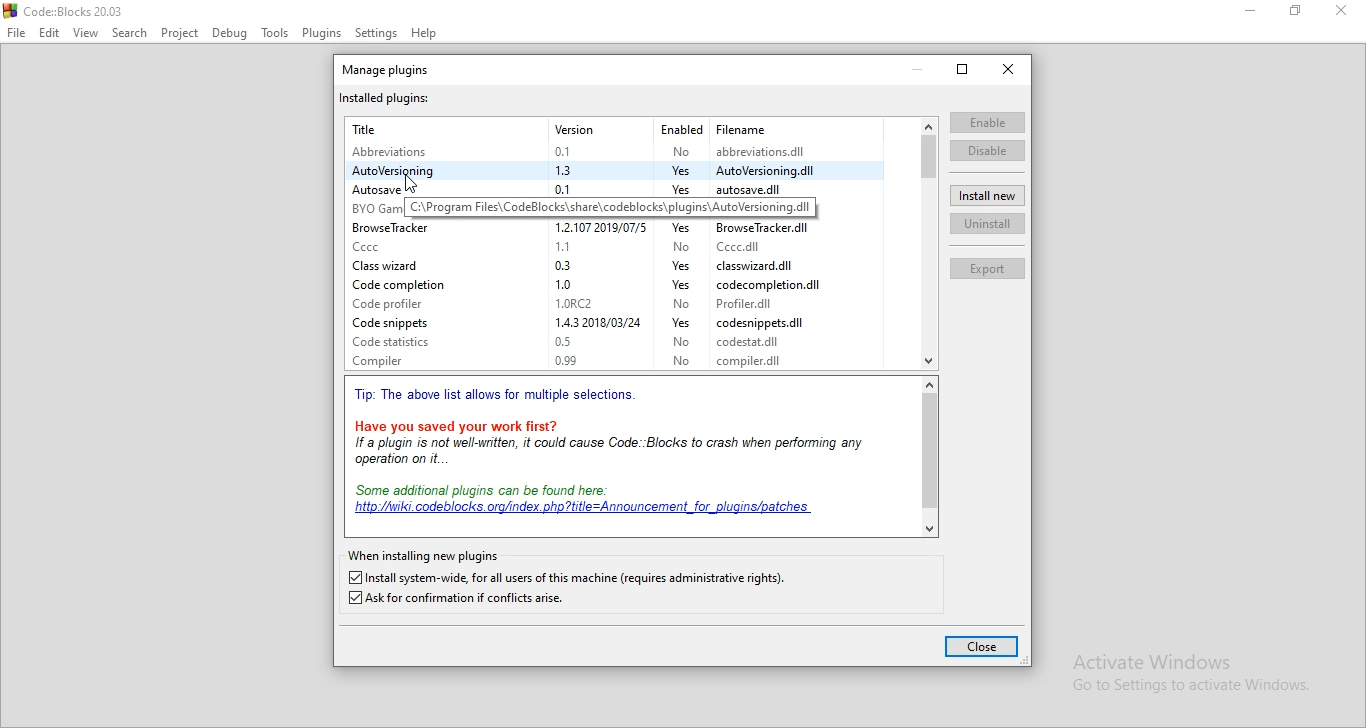  What do you see at coordinates (377, 34) in the screenshot?
I see `Settings` at bounding box center [377, 34].